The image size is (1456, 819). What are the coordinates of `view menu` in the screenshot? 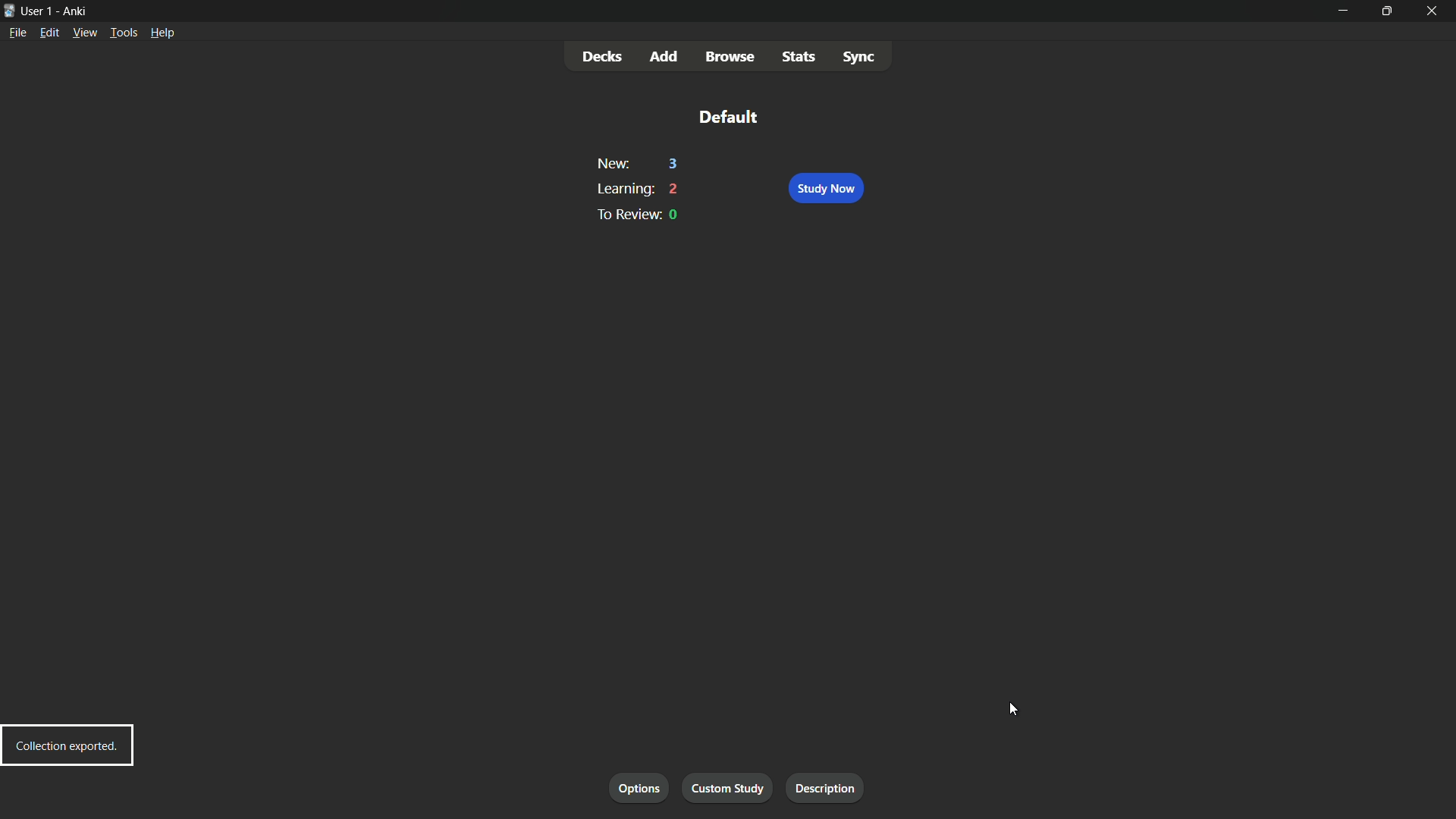 It's located at (85, 33).